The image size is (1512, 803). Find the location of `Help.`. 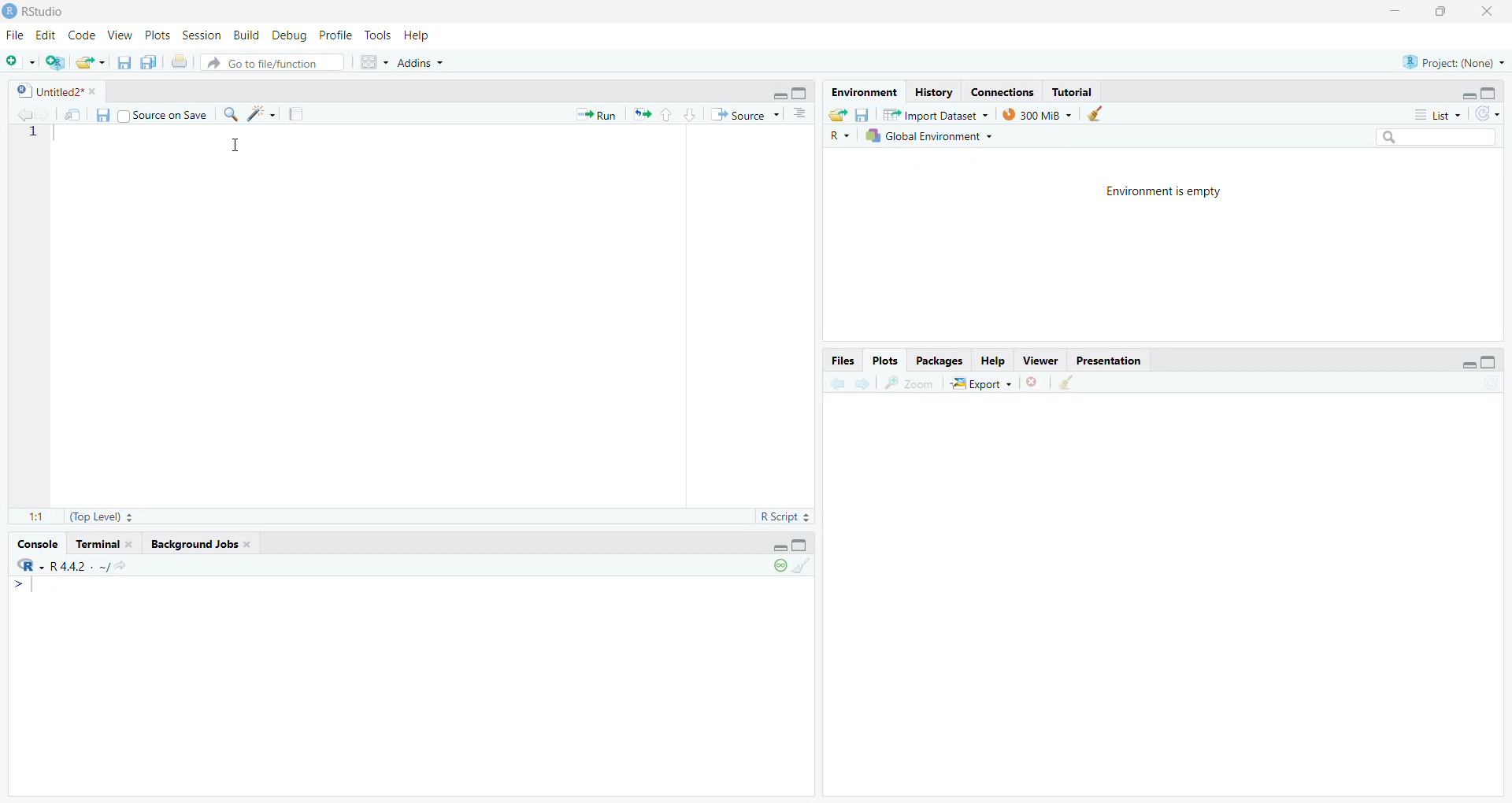

Help. is located at coordinates (995, 360).